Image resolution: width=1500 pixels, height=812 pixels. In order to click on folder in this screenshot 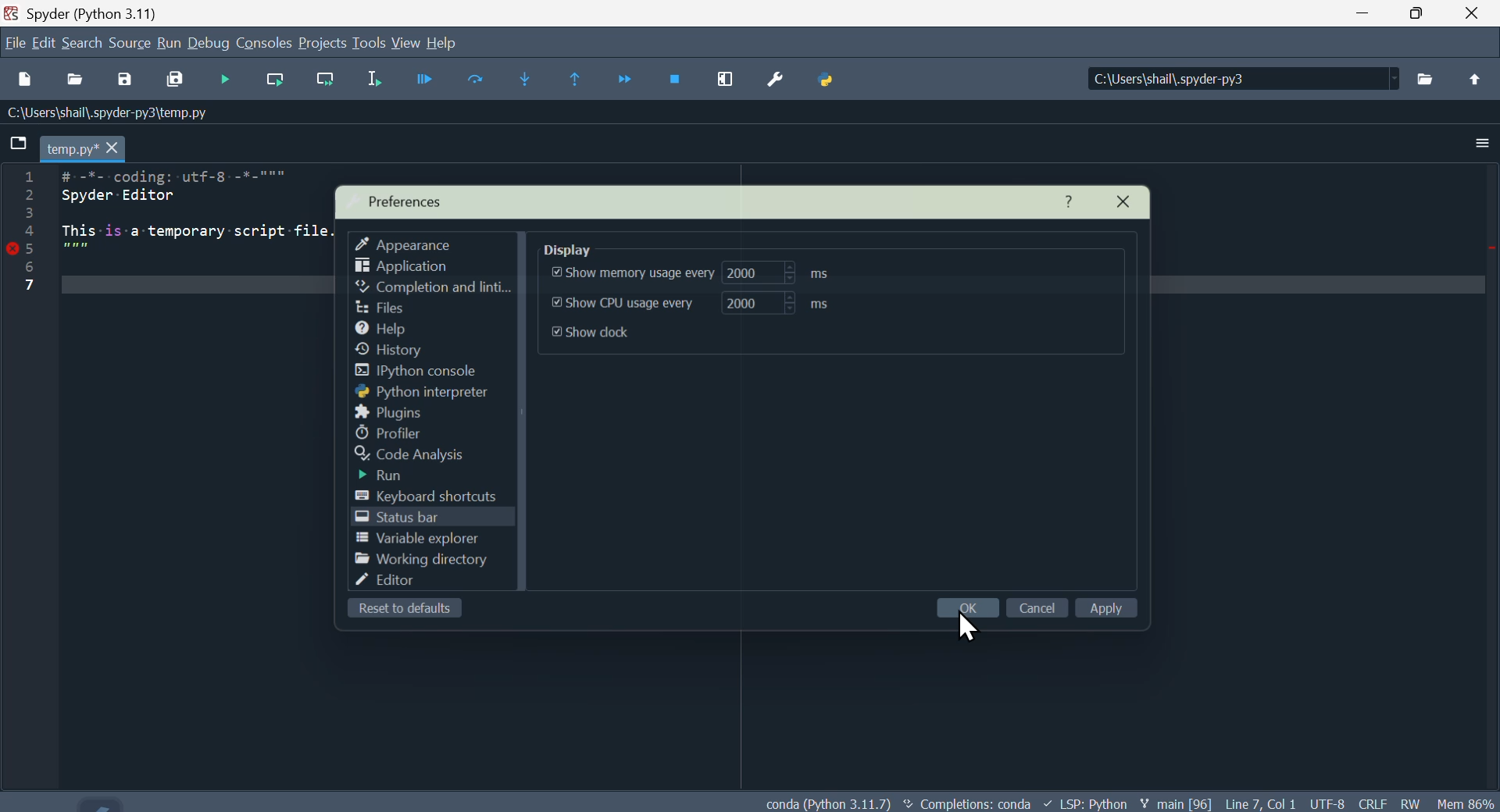, I will do `click(17, 146)`.